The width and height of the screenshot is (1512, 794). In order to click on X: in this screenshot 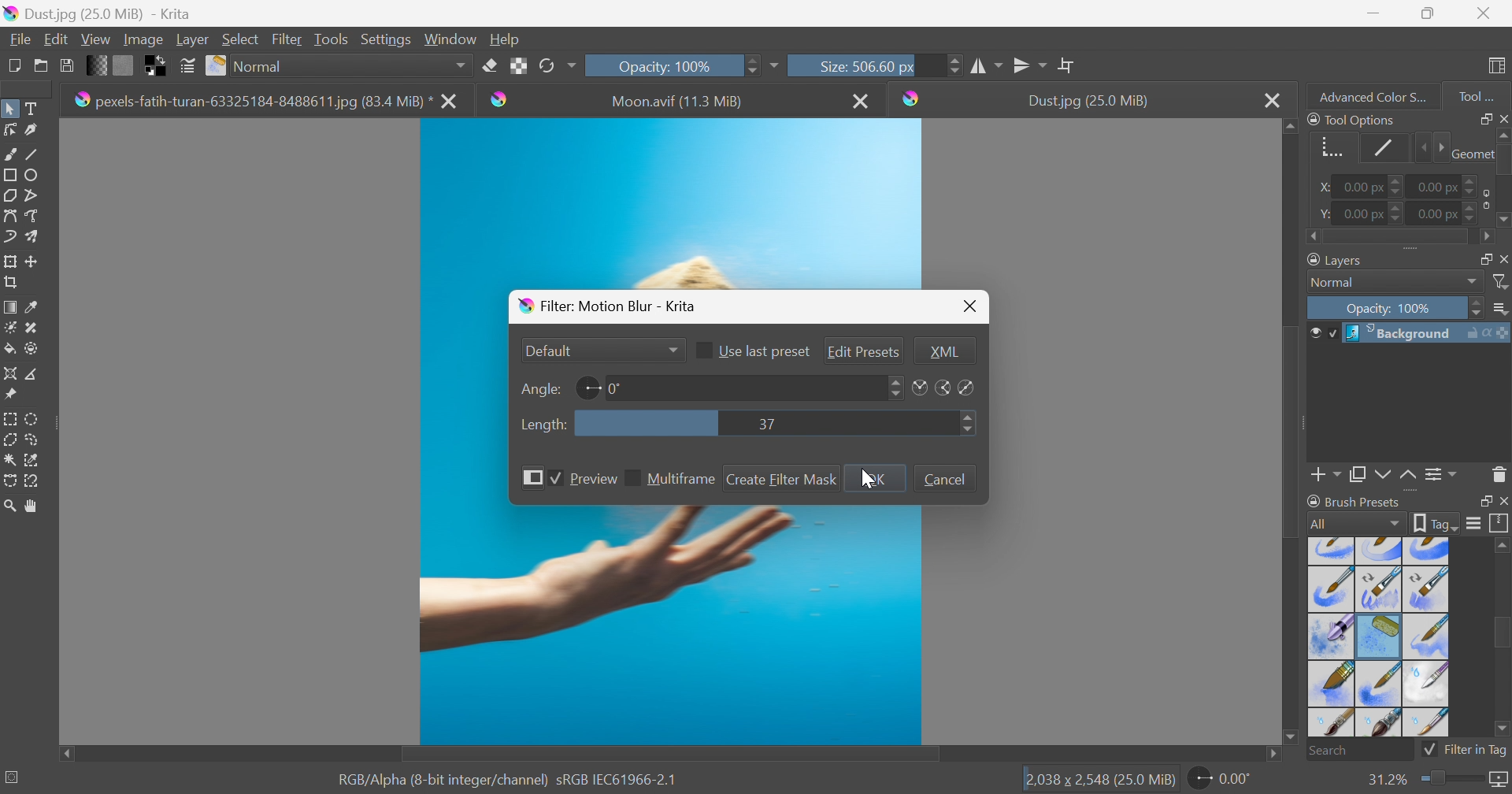, I will do `click(1320, 187)`.